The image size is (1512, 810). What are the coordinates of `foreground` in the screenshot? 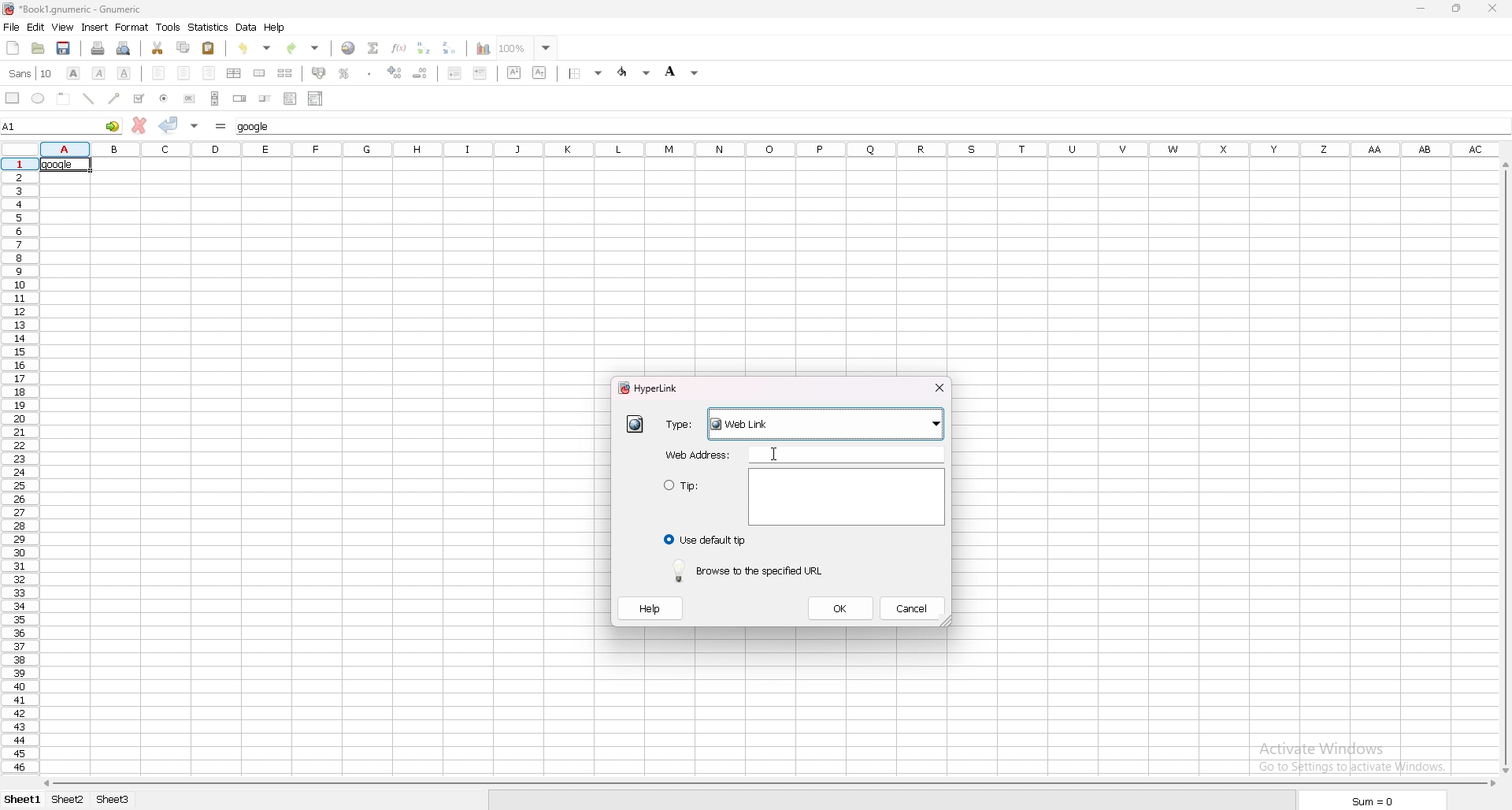 It's located at (636, 72).